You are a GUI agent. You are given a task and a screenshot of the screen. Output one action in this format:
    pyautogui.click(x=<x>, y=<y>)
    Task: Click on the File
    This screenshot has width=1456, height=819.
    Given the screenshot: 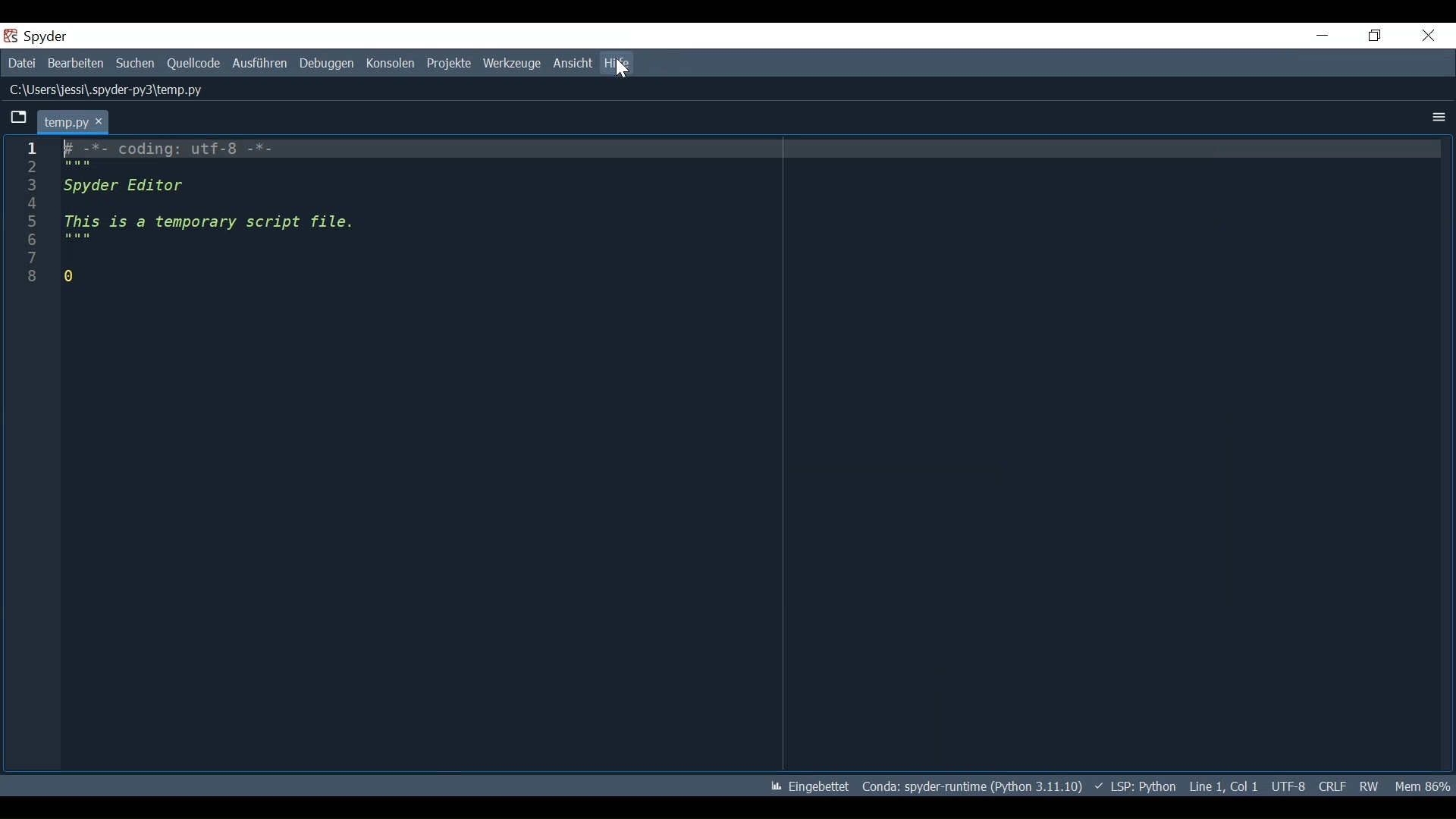 What is the action you would take?
    pyautogui.click(x=21, y=63)
    